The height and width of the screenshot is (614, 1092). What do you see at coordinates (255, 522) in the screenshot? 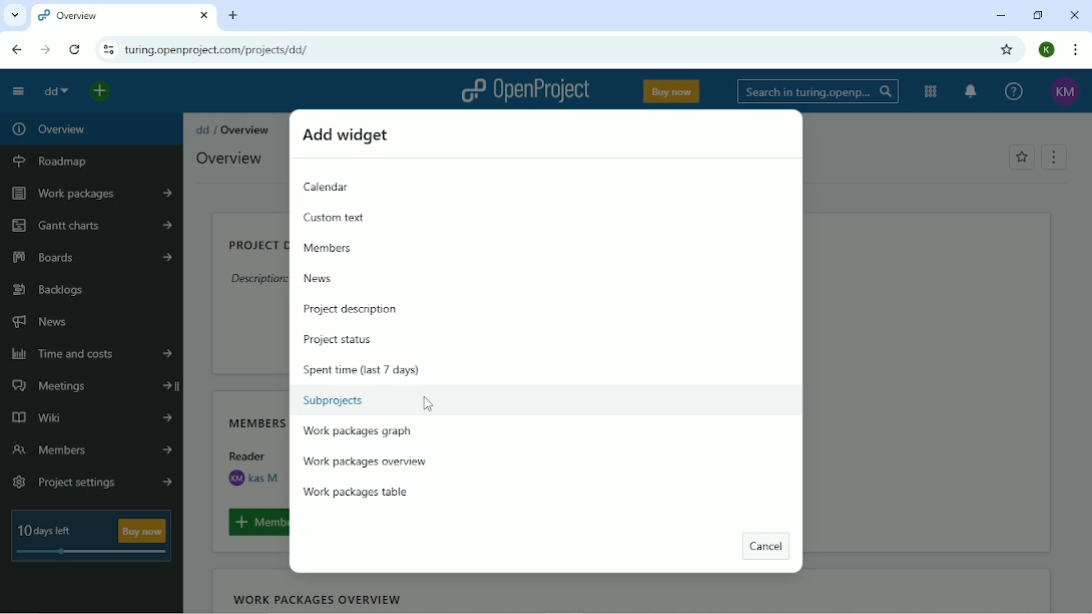
I see `Add member` at bounding box center [255, 522].